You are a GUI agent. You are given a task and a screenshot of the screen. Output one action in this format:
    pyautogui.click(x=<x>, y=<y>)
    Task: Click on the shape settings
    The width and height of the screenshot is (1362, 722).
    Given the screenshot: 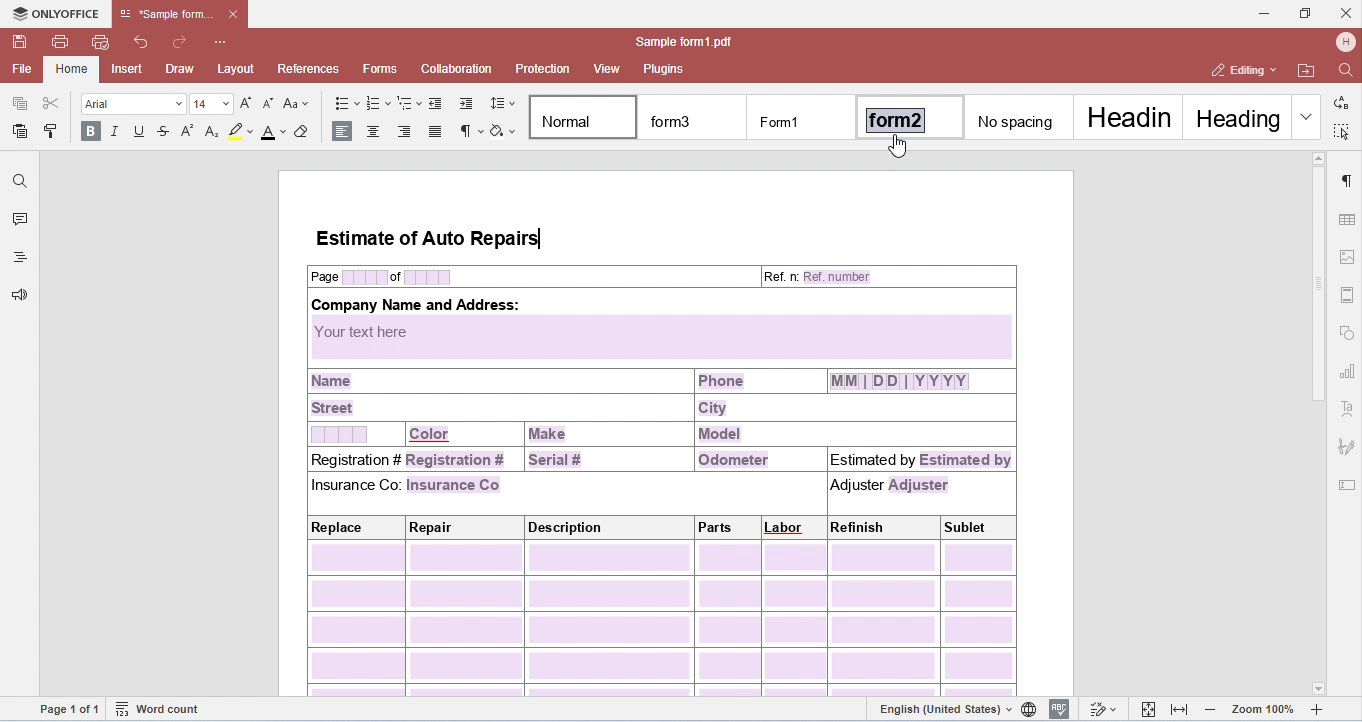 What is the action you would take?
    pyautogui.click(x=1348, y=330)
    